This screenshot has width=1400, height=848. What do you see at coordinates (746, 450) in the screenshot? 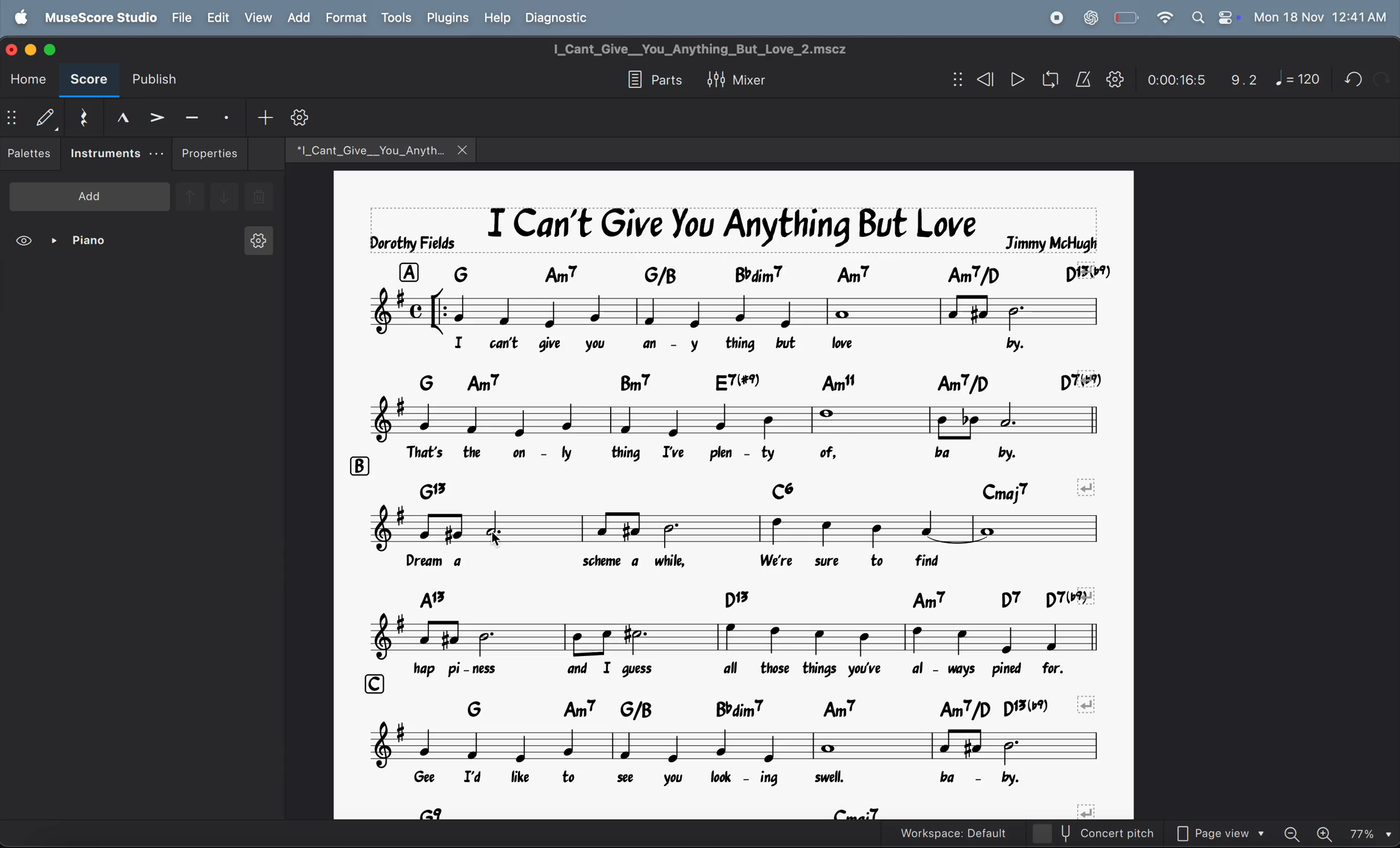
I see `lyrics` at bounding box center [746, 450].